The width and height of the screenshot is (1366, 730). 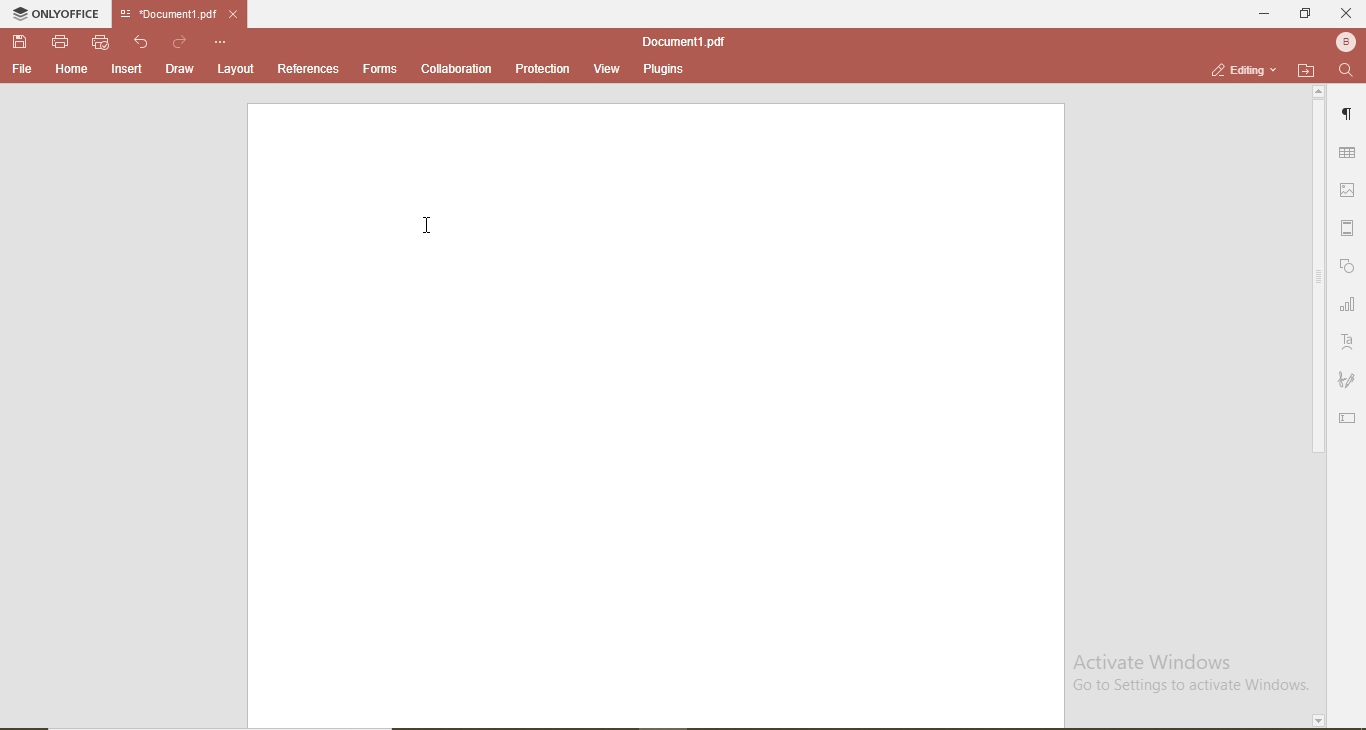 I want to click on onlyoffice, so click(x=57, y=13).